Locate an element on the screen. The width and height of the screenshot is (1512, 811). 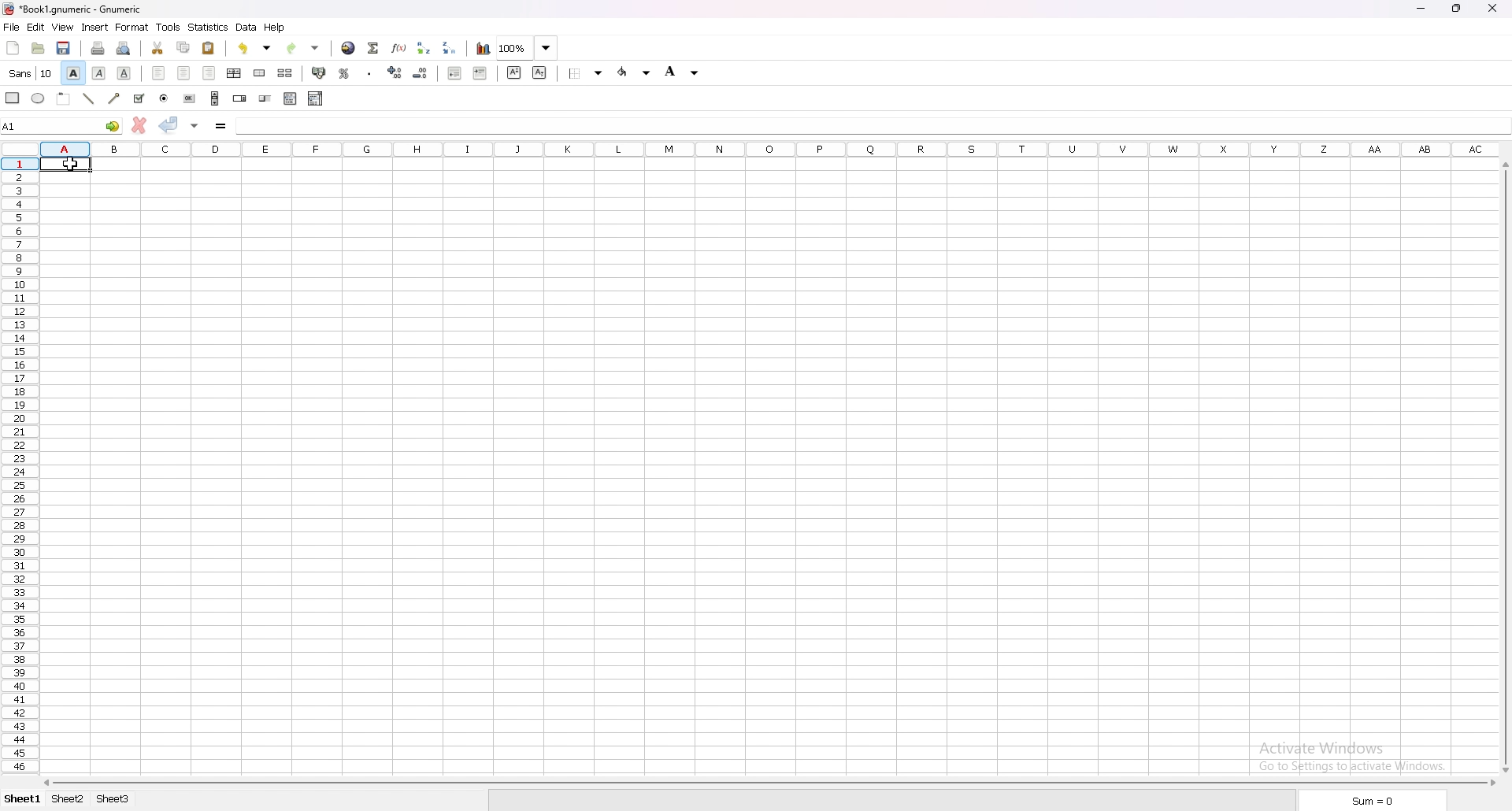
cursor is located at coordinates (73, 165).